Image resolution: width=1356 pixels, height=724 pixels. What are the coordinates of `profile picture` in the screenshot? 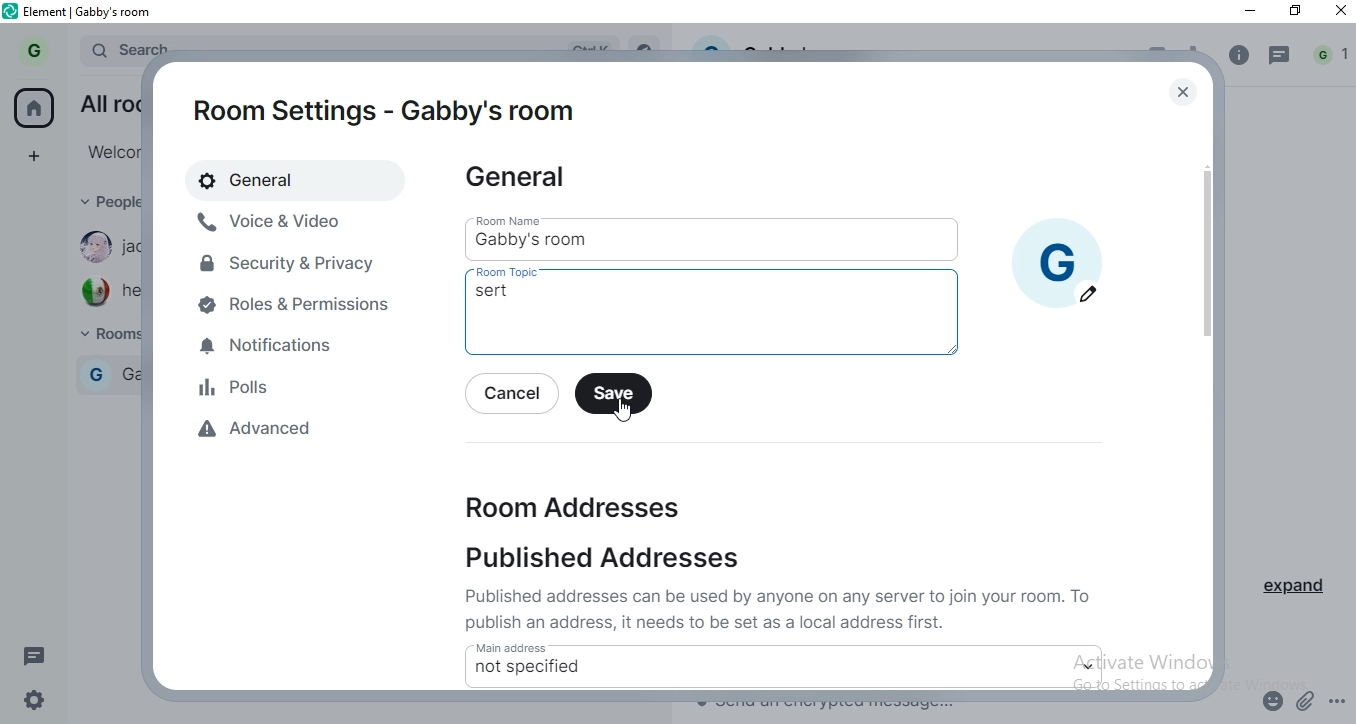 It's located at (1057, 248).